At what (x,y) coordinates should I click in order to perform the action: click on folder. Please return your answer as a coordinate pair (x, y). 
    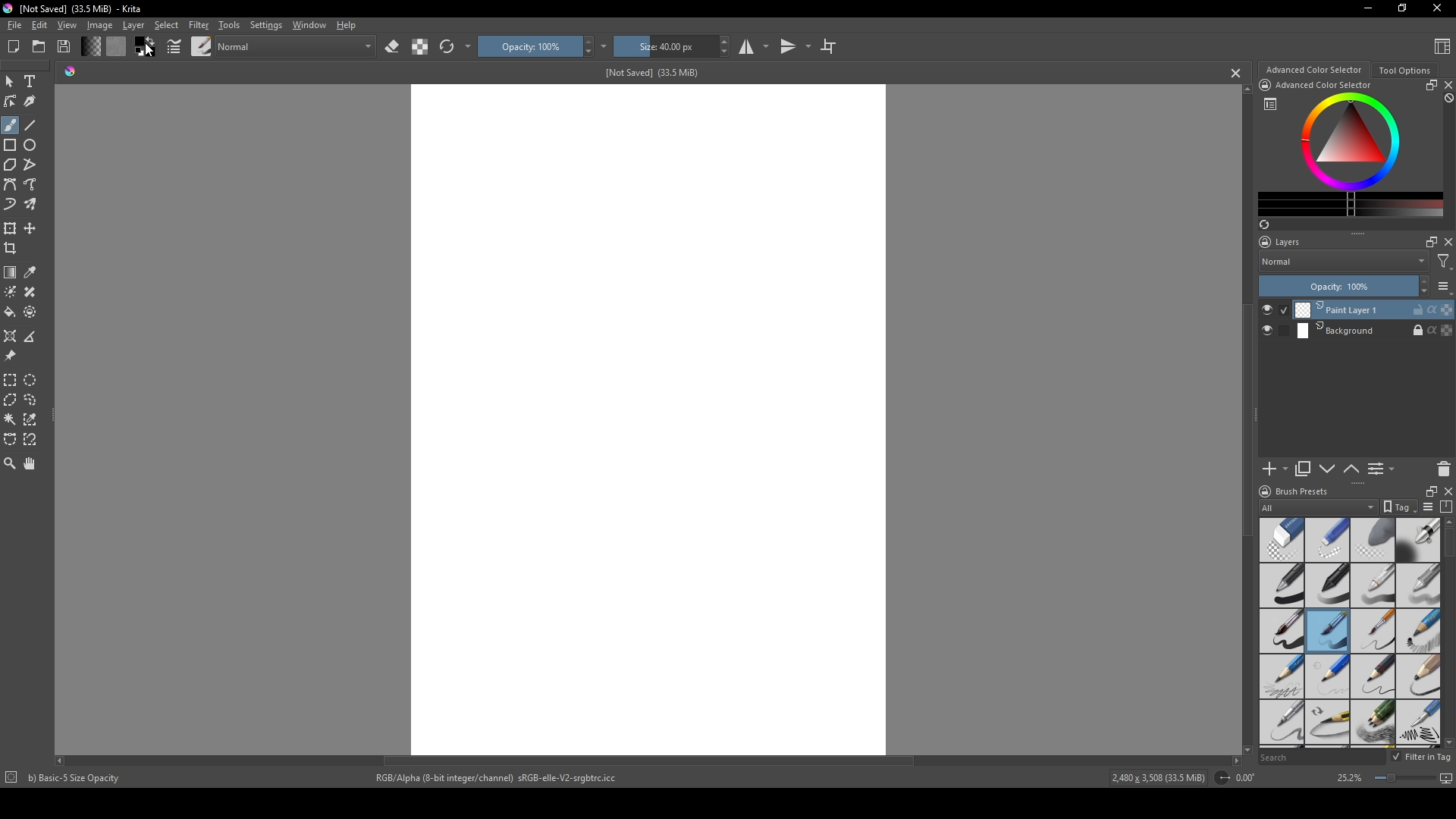
    Looking at the image, I should click on (39, 47).